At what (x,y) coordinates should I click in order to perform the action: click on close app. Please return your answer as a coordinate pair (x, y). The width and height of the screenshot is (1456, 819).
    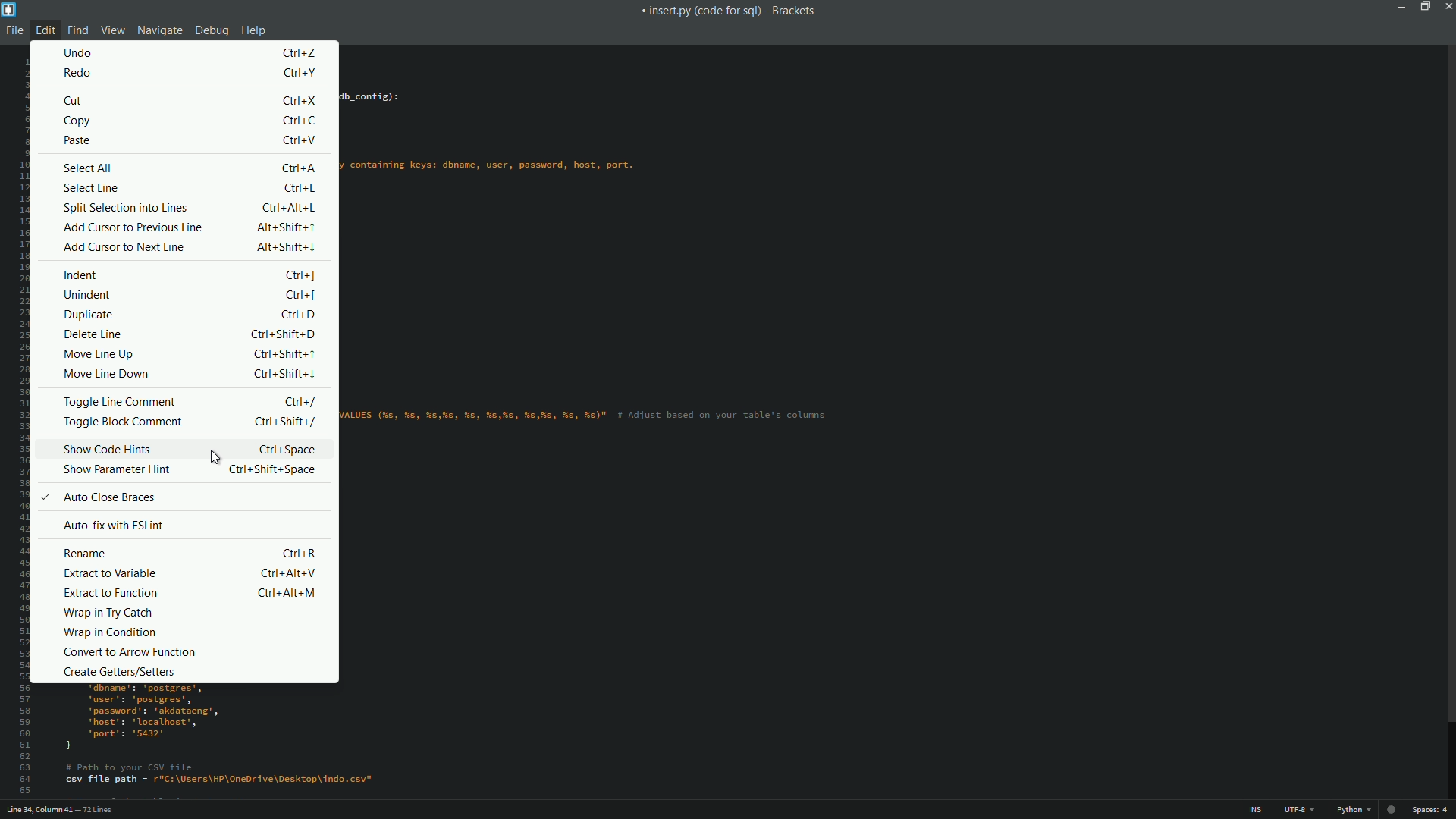
    Looking at the image, I should click on (1447, 7).